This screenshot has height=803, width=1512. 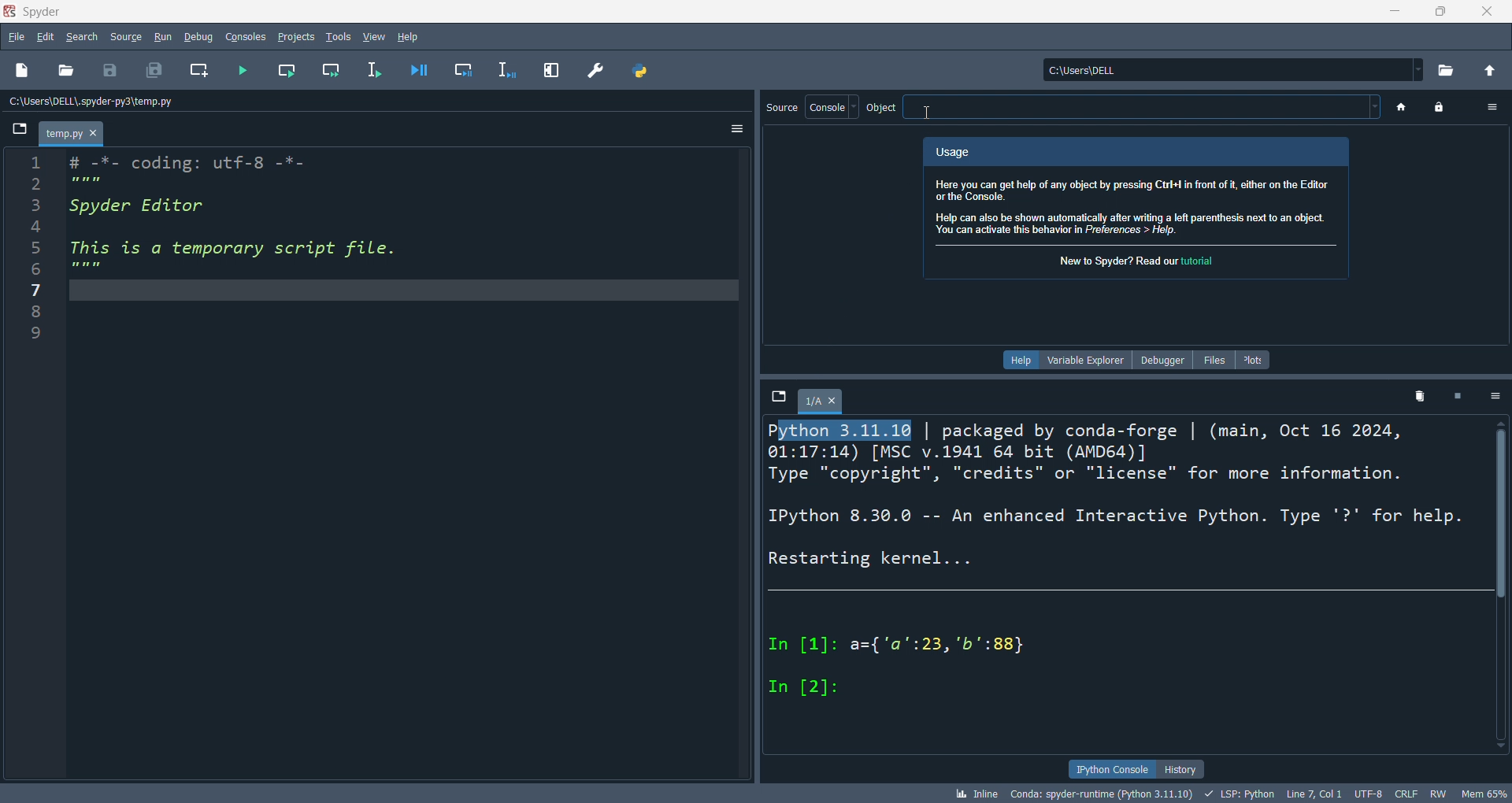 I want to click on history, so click(x=1180, y=768).